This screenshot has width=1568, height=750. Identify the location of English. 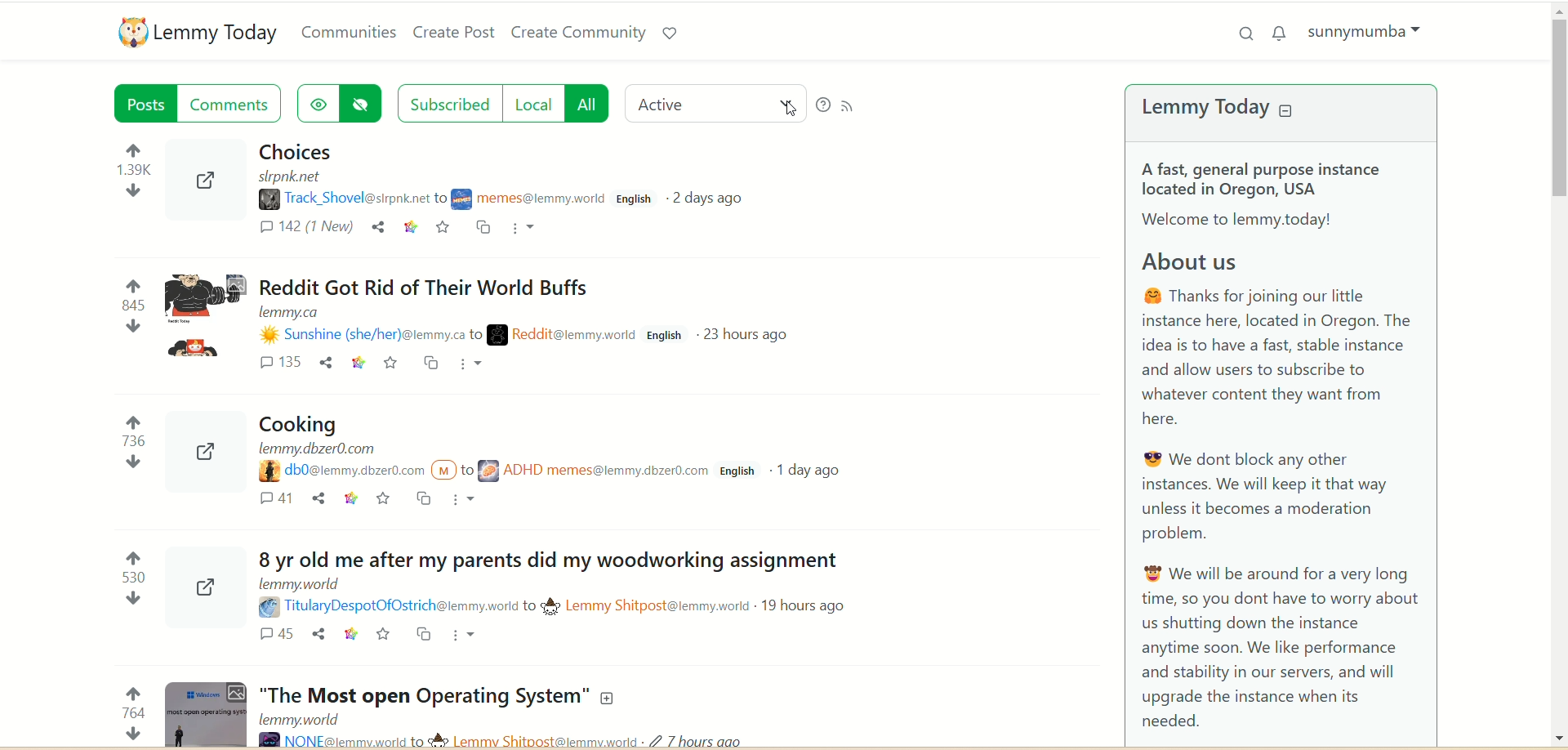
(737, 473).